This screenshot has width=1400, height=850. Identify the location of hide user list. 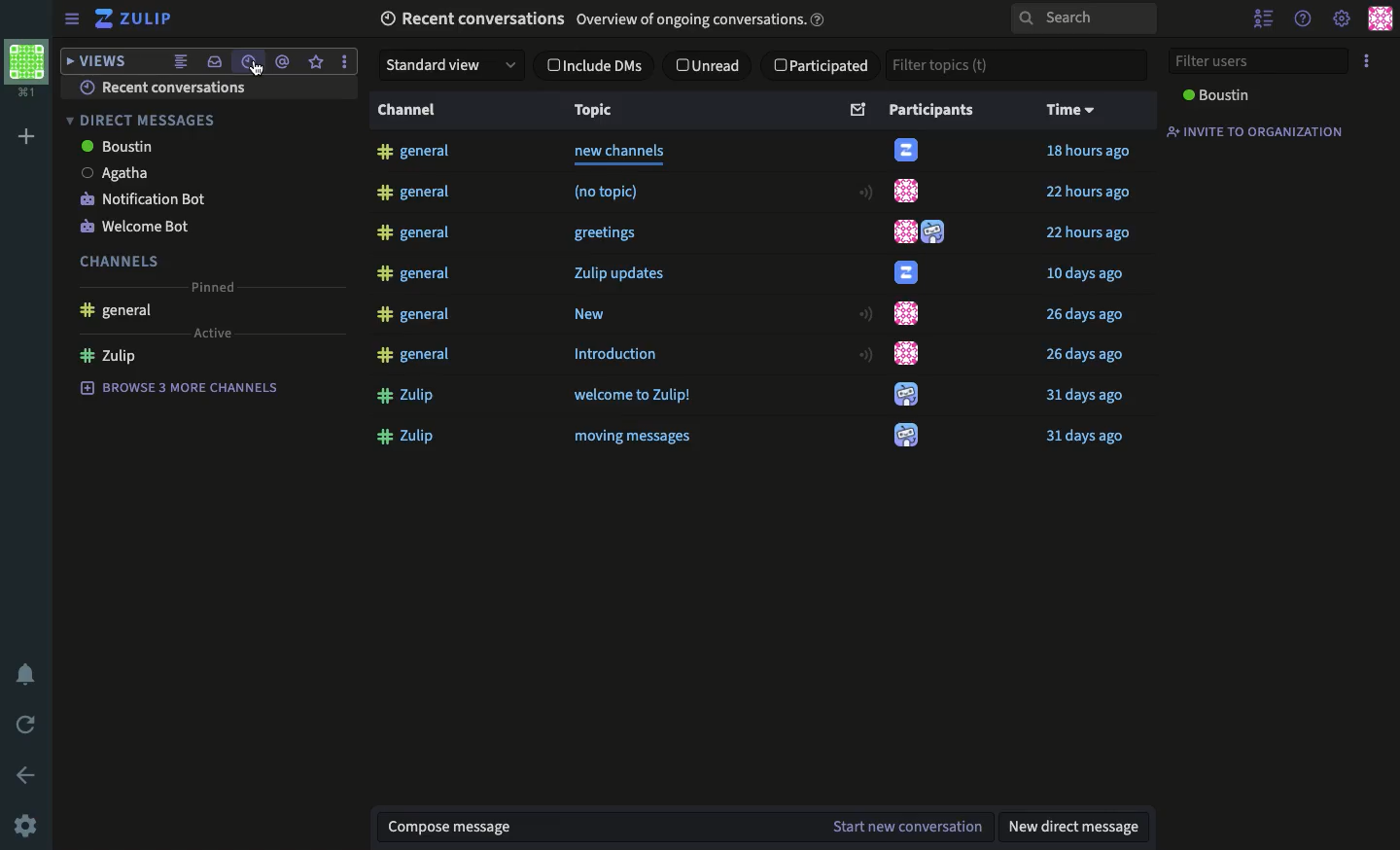
(1259, 18).